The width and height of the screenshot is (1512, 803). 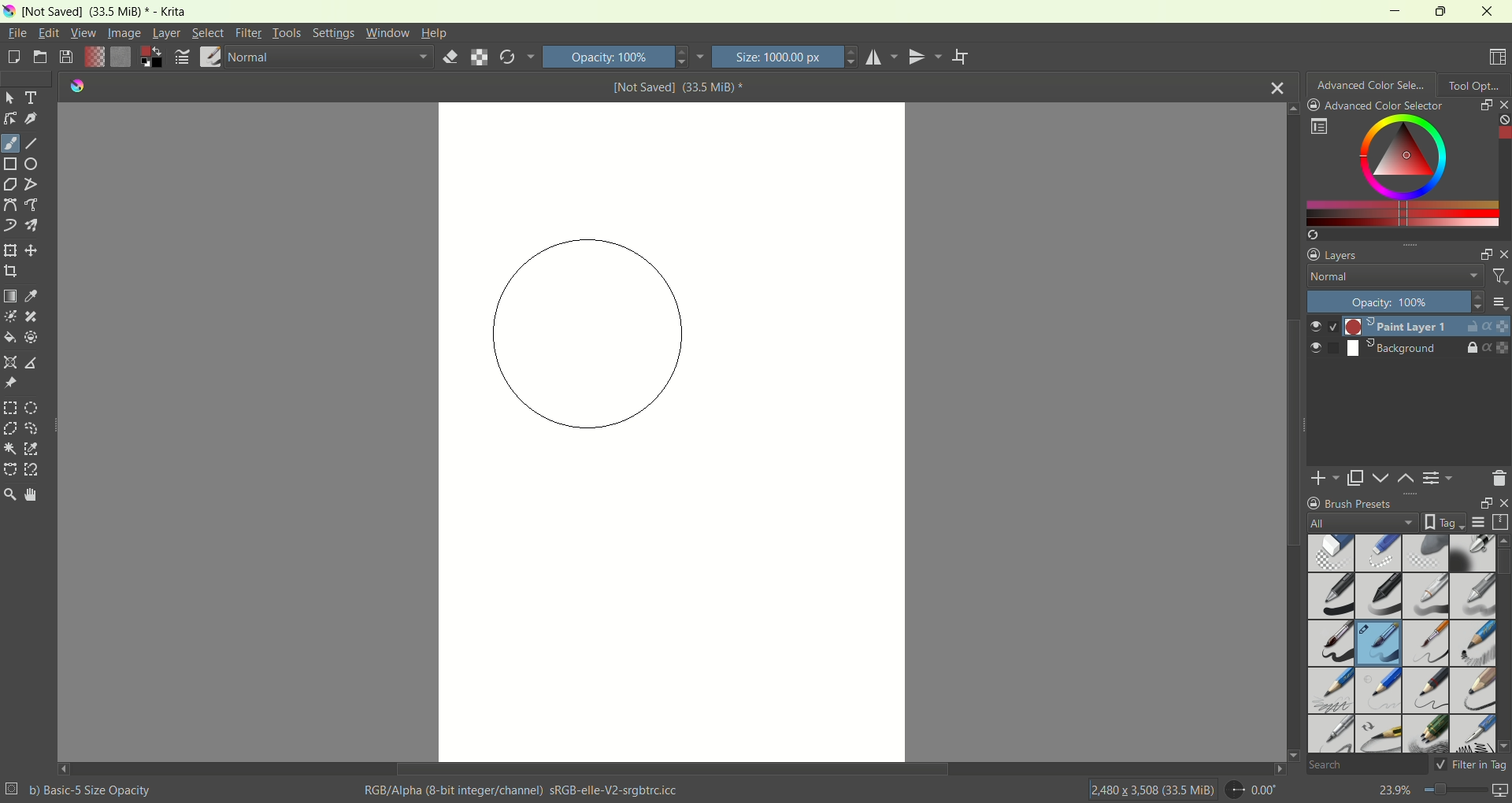 What do you see at coordinates (1503, 522) in the screenshot?
I see `storage` at bounding box center [1503, 522].